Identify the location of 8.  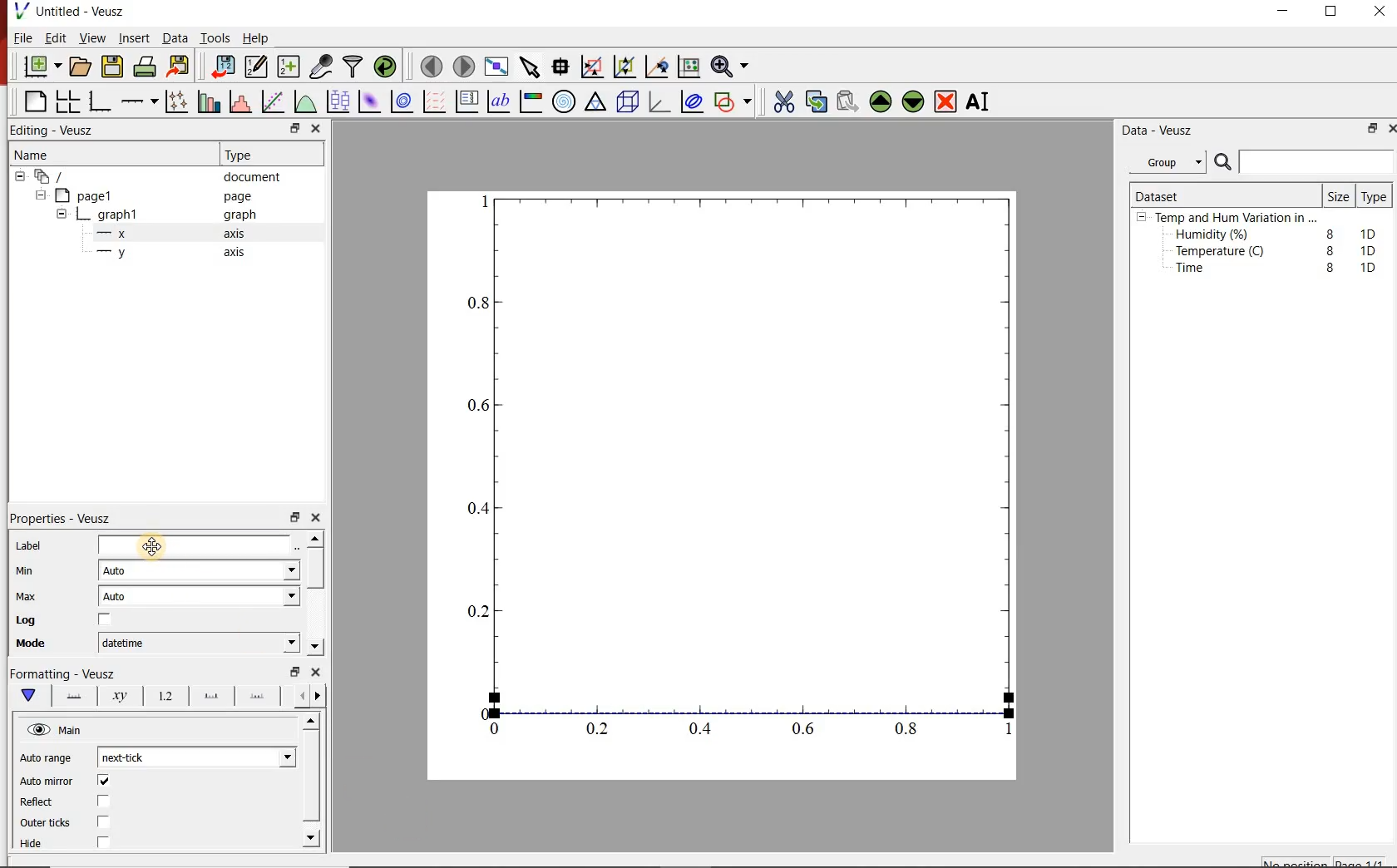
(1327, 231).